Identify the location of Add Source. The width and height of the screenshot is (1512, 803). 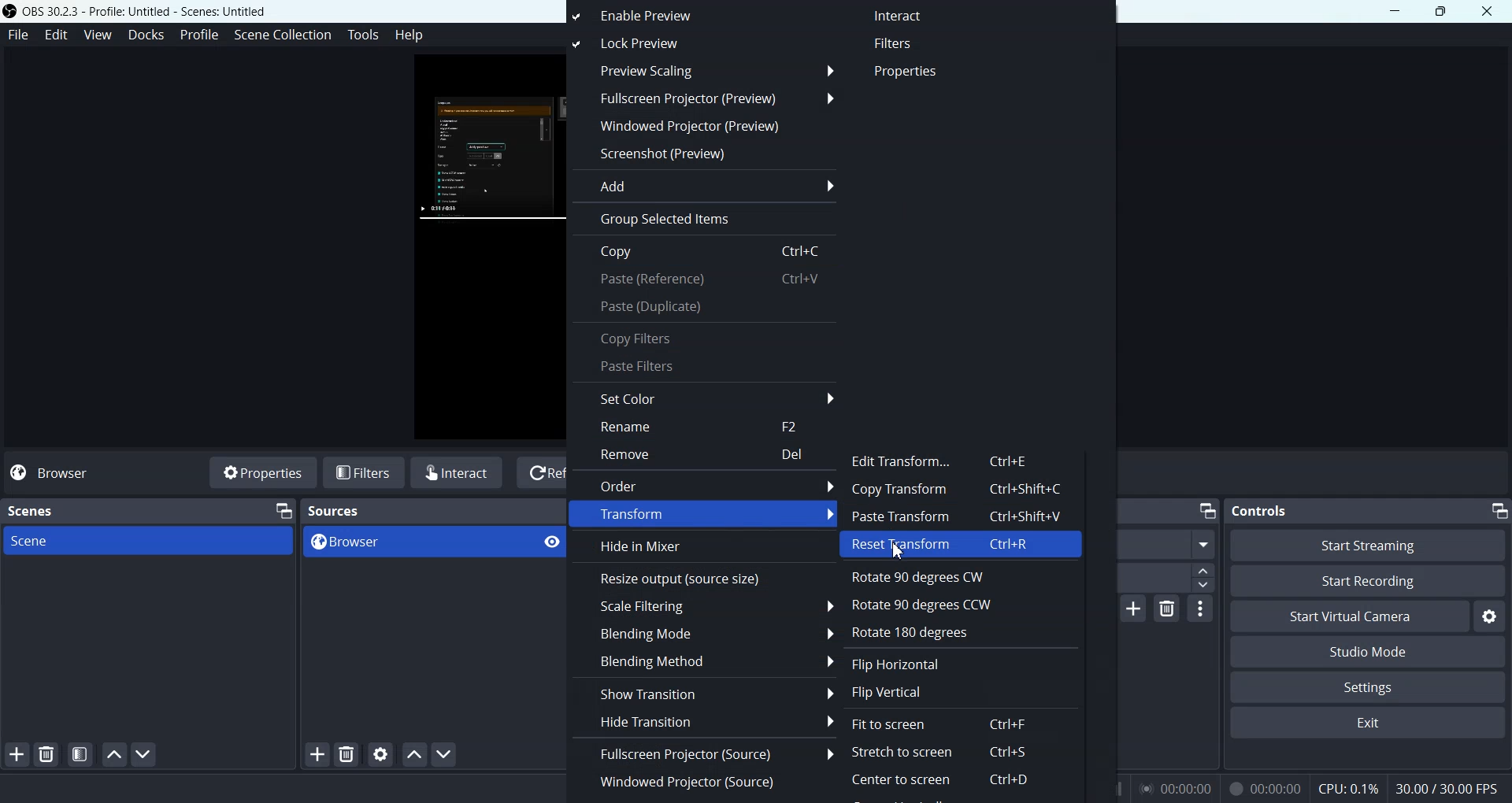
(317, 754).